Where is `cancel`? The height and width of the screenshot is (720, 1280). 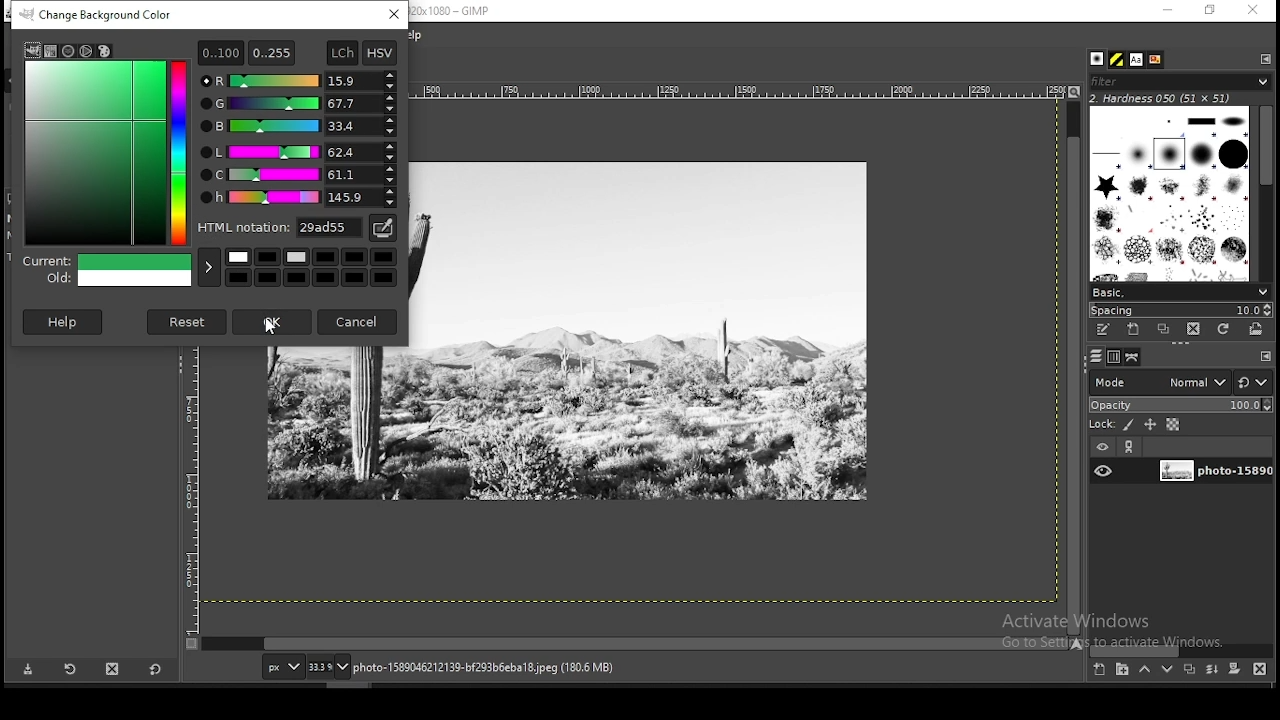
cancel is located at coordinates (359, 320).